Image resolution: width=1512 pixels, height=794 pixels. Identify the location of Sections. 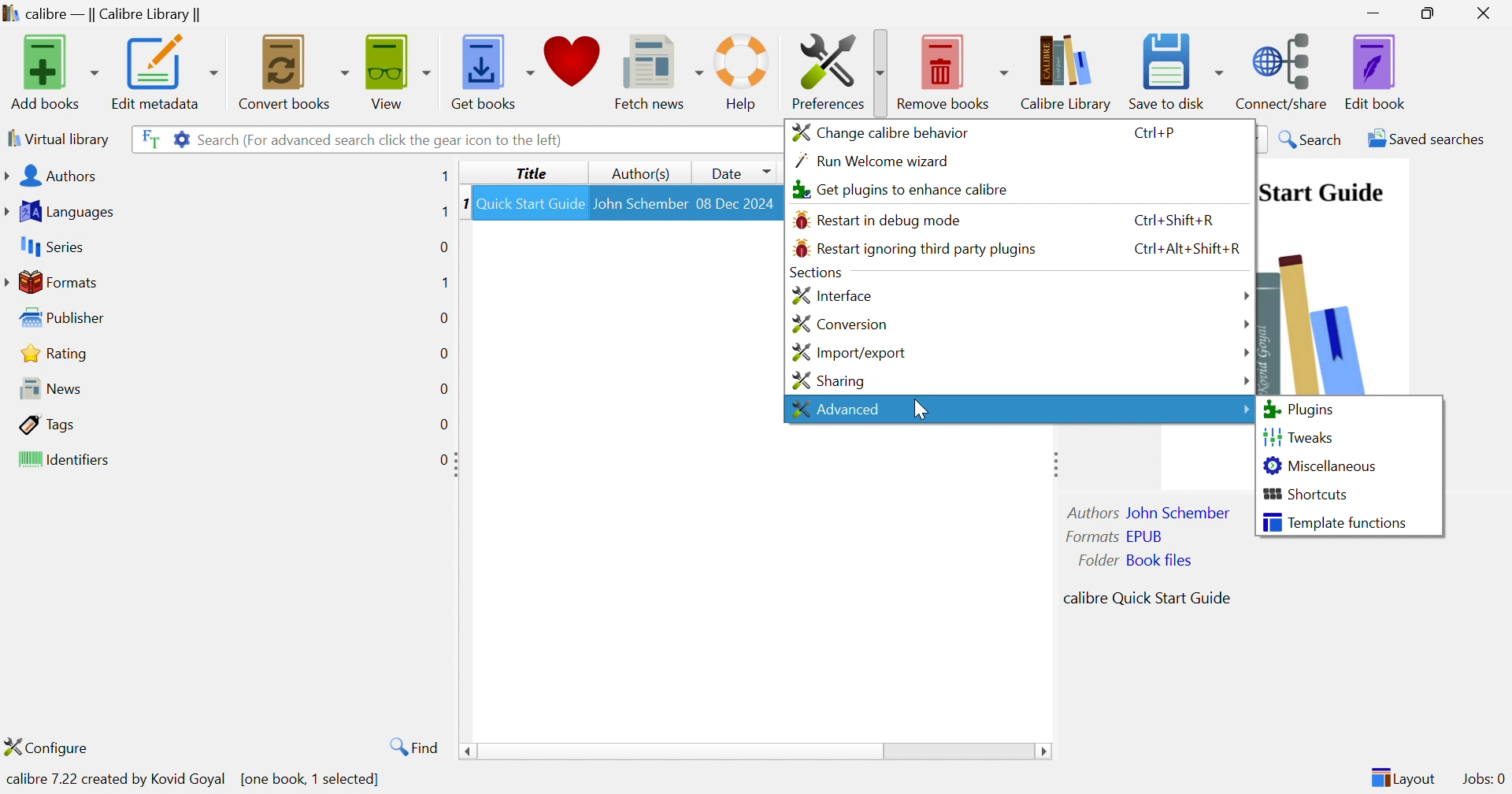
(813, 273).